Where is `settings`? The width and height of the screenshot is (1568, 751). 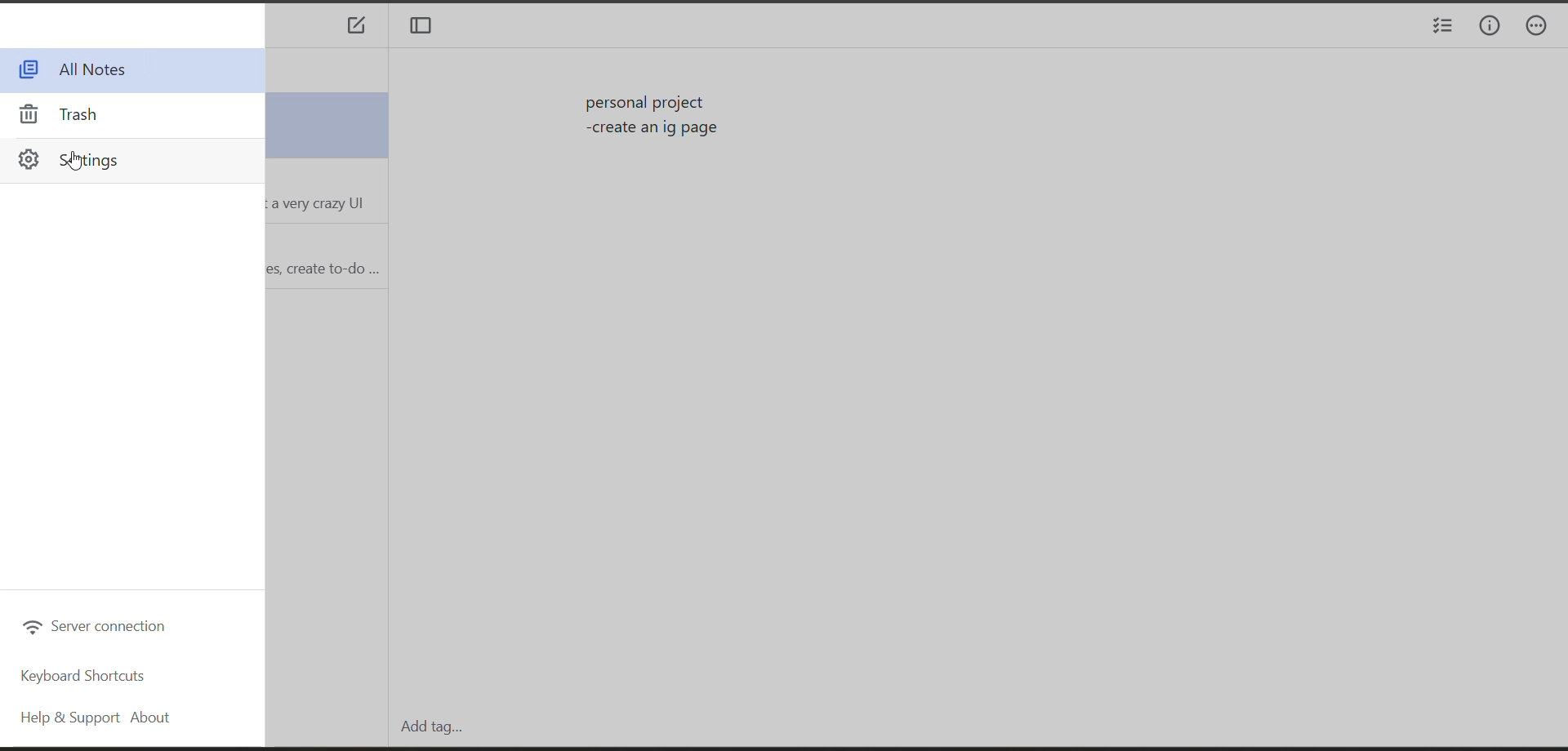
settings is located at coordinates (84, 159).